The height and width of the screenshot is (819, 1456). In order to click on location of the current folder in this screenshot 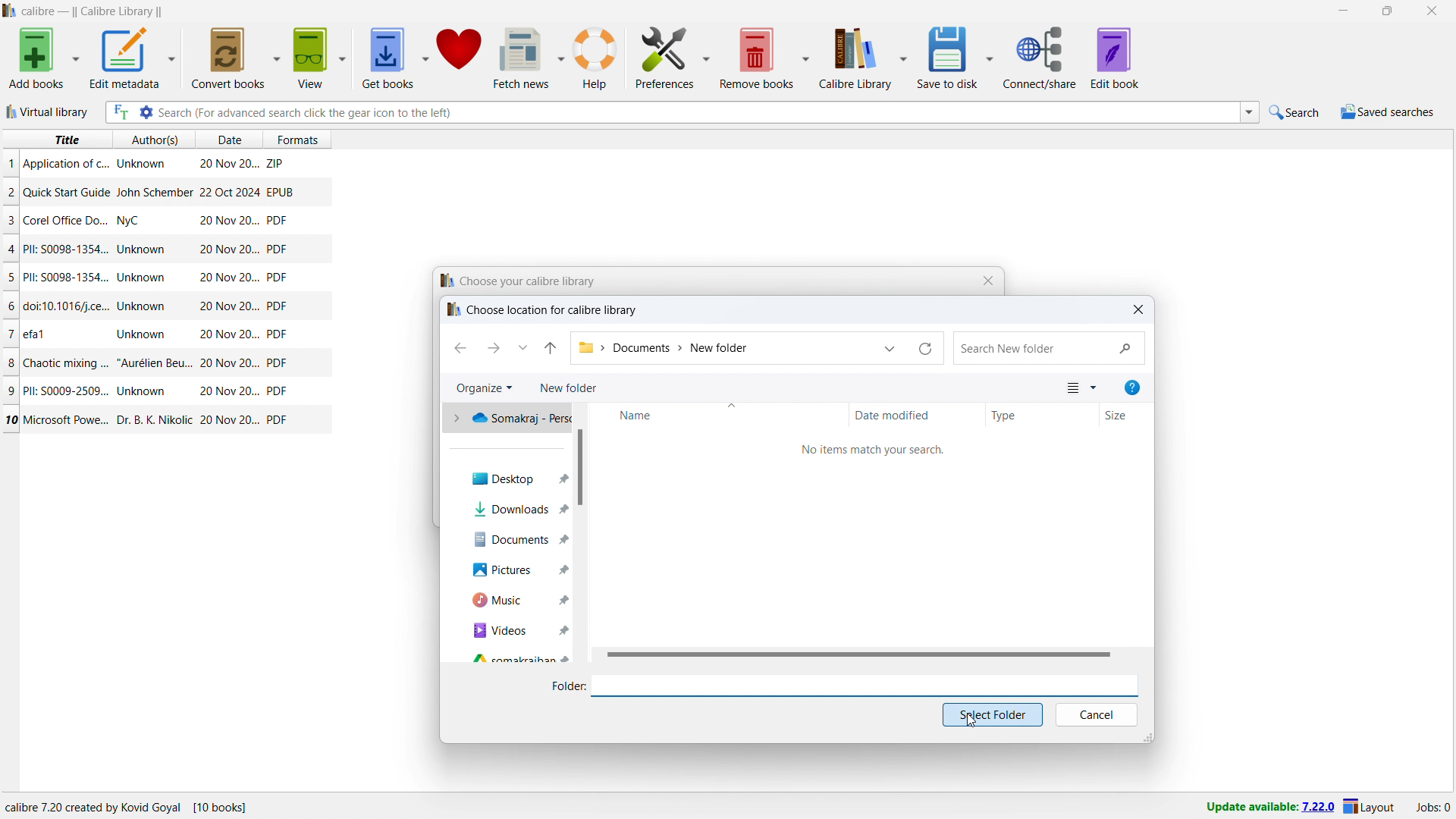, I will do `click(722, 348)`.